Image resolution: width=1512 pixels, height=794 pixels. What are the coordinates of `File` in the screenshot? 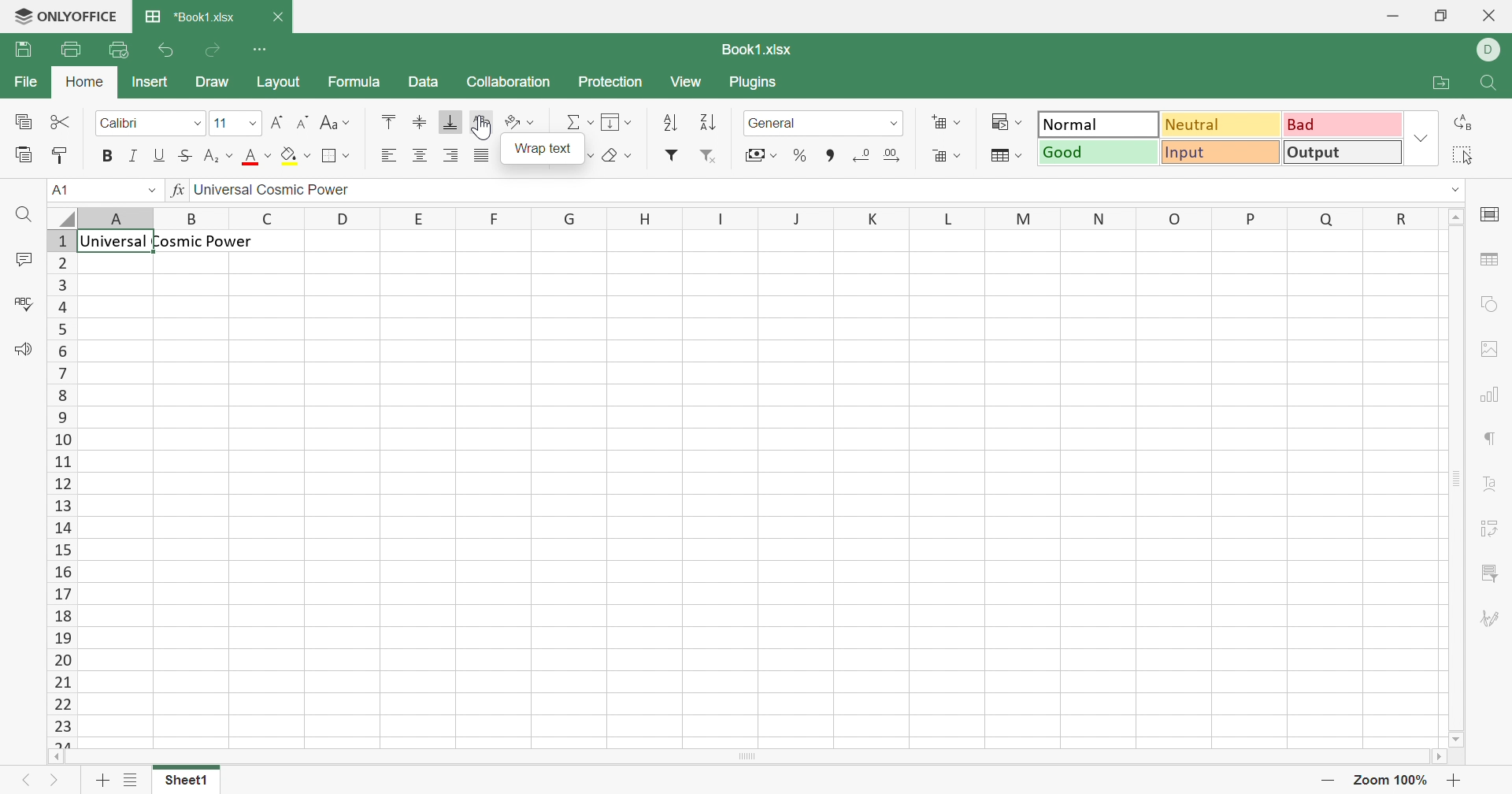 It's located at (26, 83).